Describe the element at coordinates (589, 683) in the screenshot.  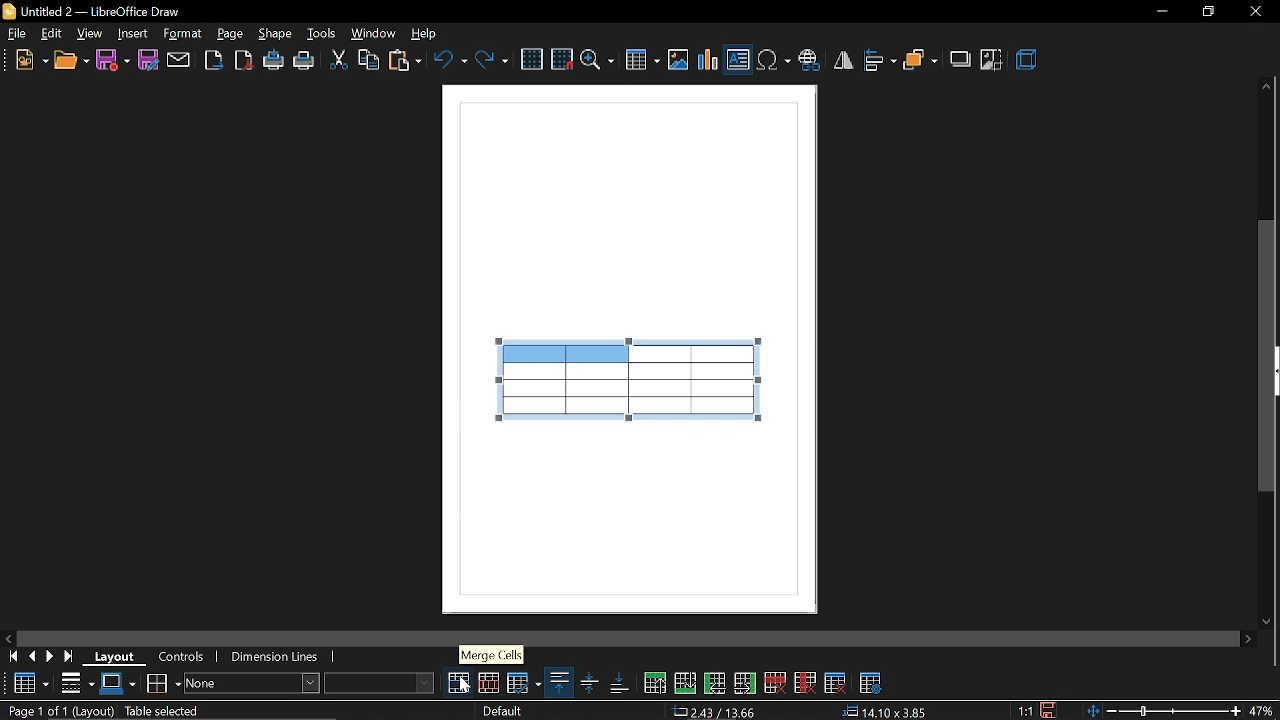
I see `align center` at that location.